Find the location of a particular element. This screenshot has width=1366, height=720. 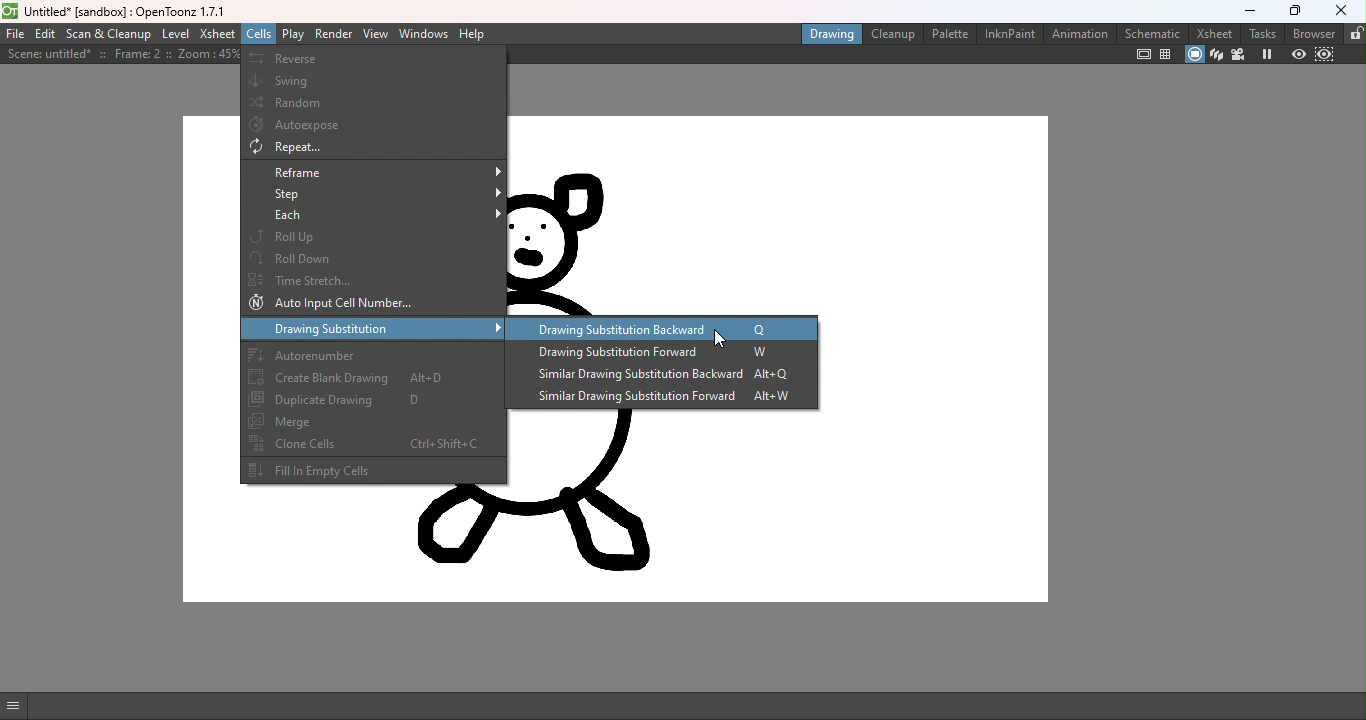

Freeze is located at coordinates (1268, 55).